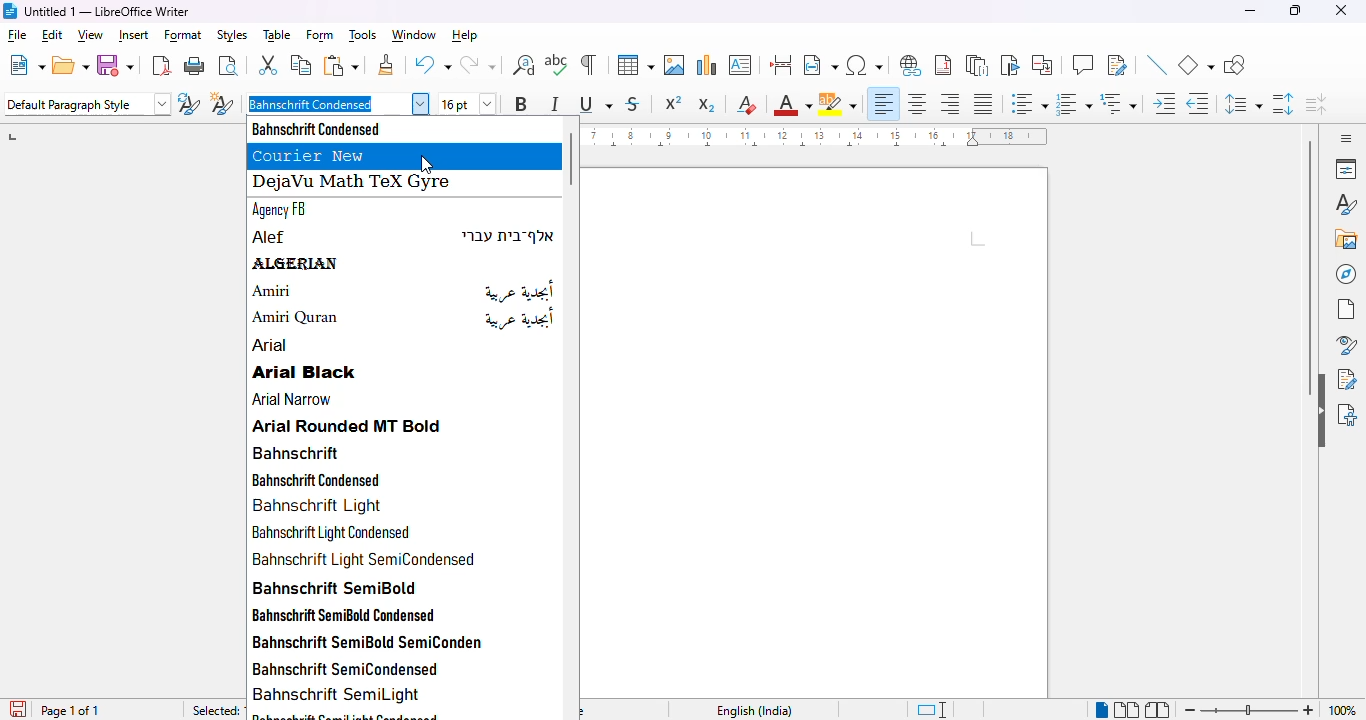 The image size is (1366, 720). What do you see at coordinates (352, 183) in the screenshot?
I see `dejavu math tex gyre` at bounding box center [352, 183].